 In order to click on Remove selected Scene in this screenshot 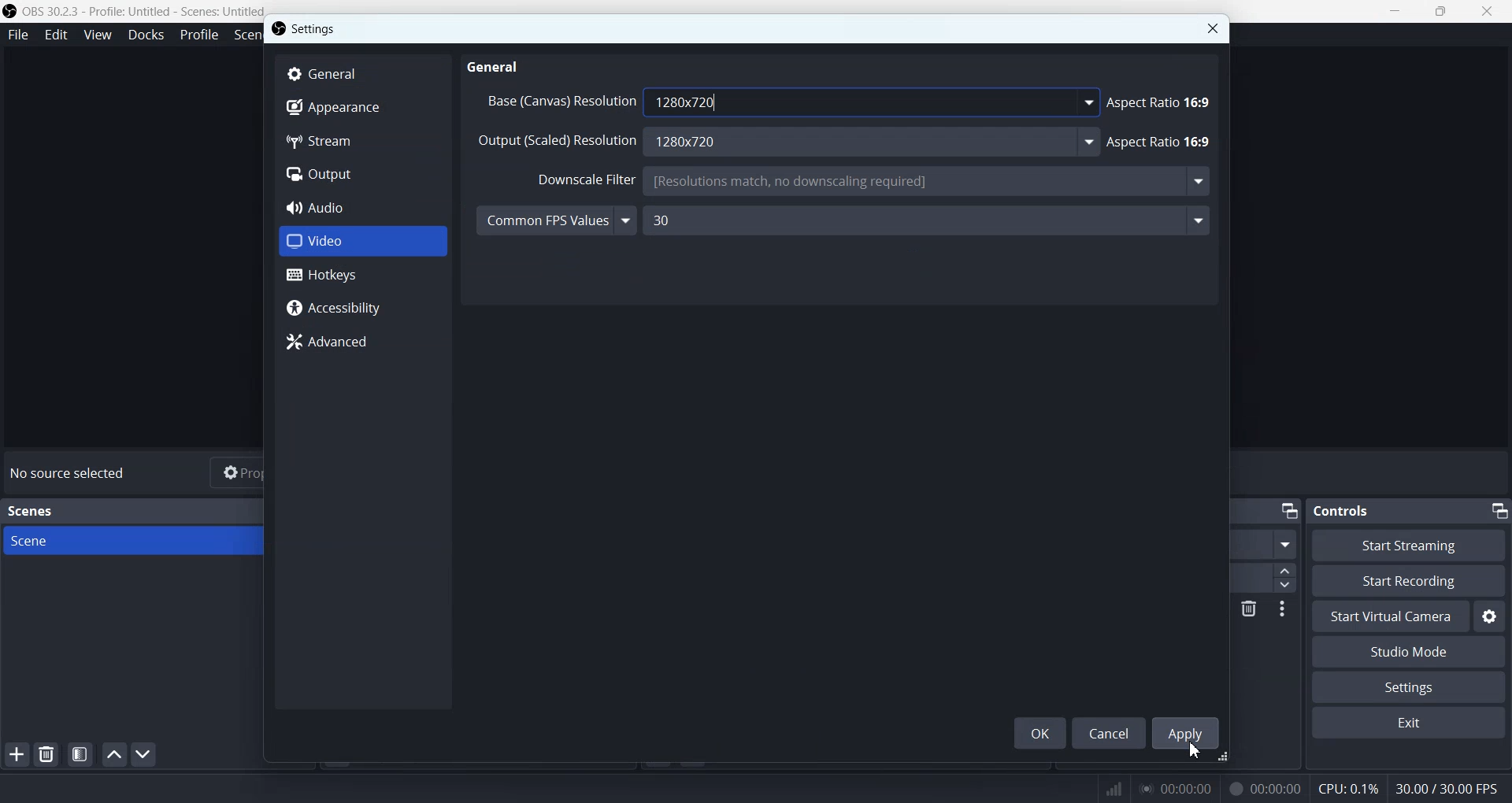, I will do `click(47, 754)`.